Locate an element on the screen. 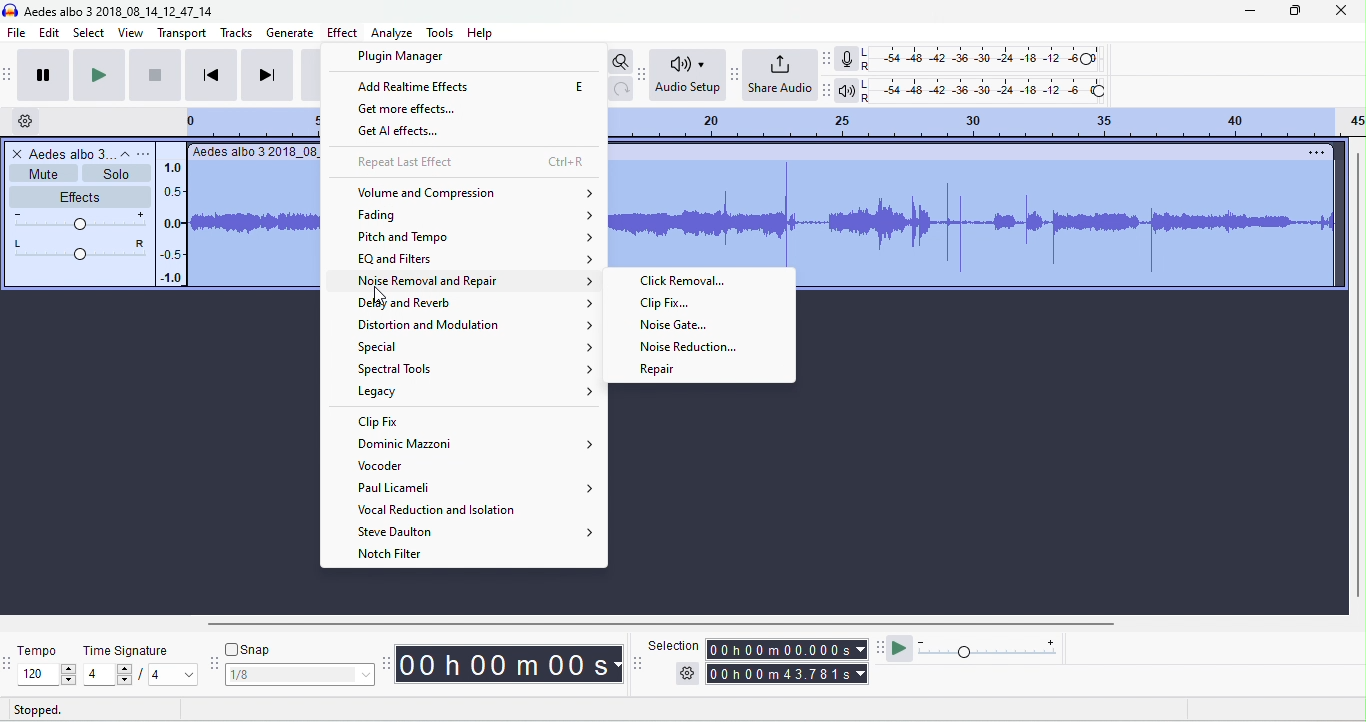 The image size is (1366, 722). select tempo is located at coordinates (45, 673).